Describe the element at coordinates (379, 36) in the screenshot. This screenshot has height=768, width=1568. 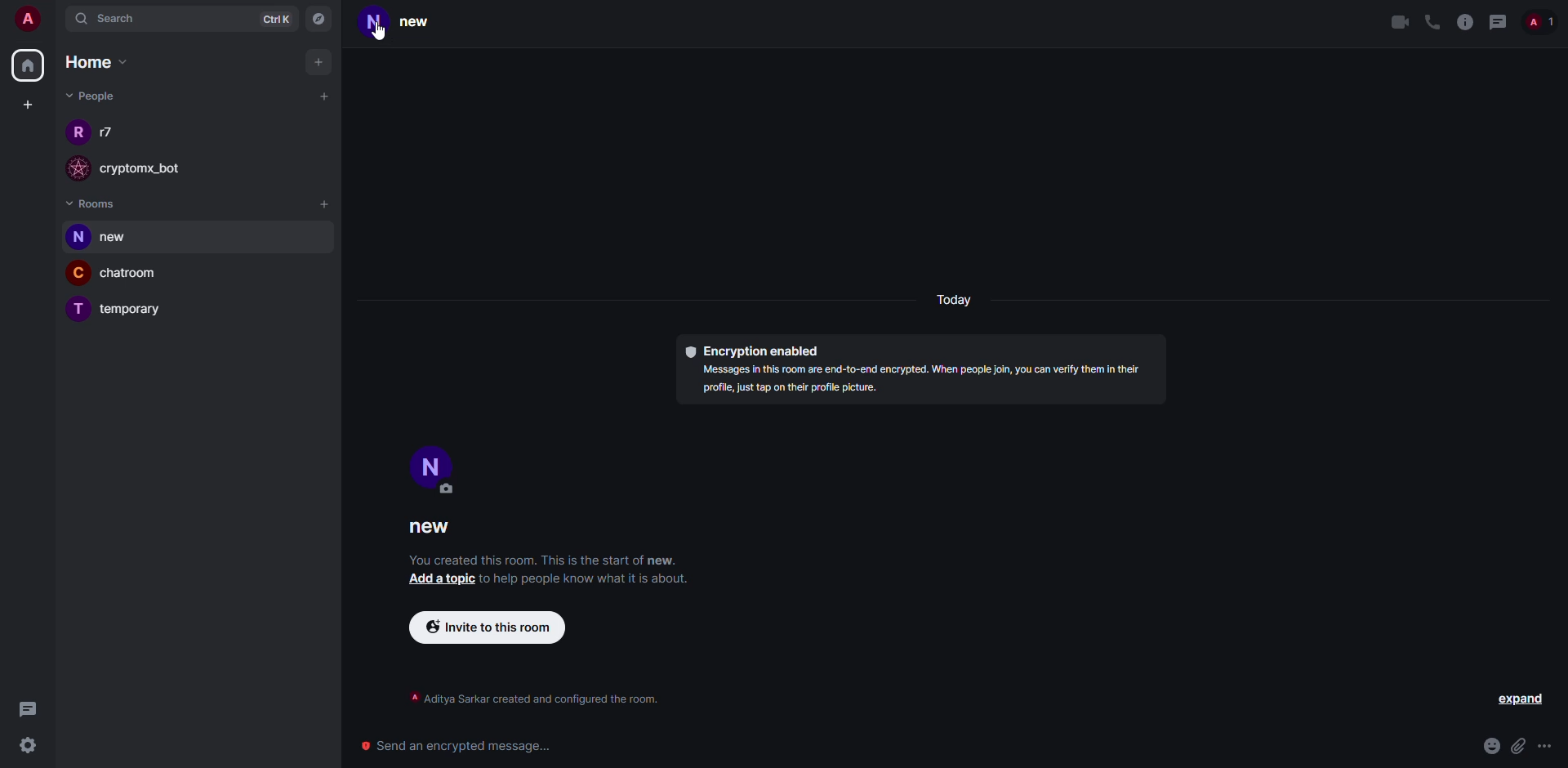
I see `cursor` at that location.